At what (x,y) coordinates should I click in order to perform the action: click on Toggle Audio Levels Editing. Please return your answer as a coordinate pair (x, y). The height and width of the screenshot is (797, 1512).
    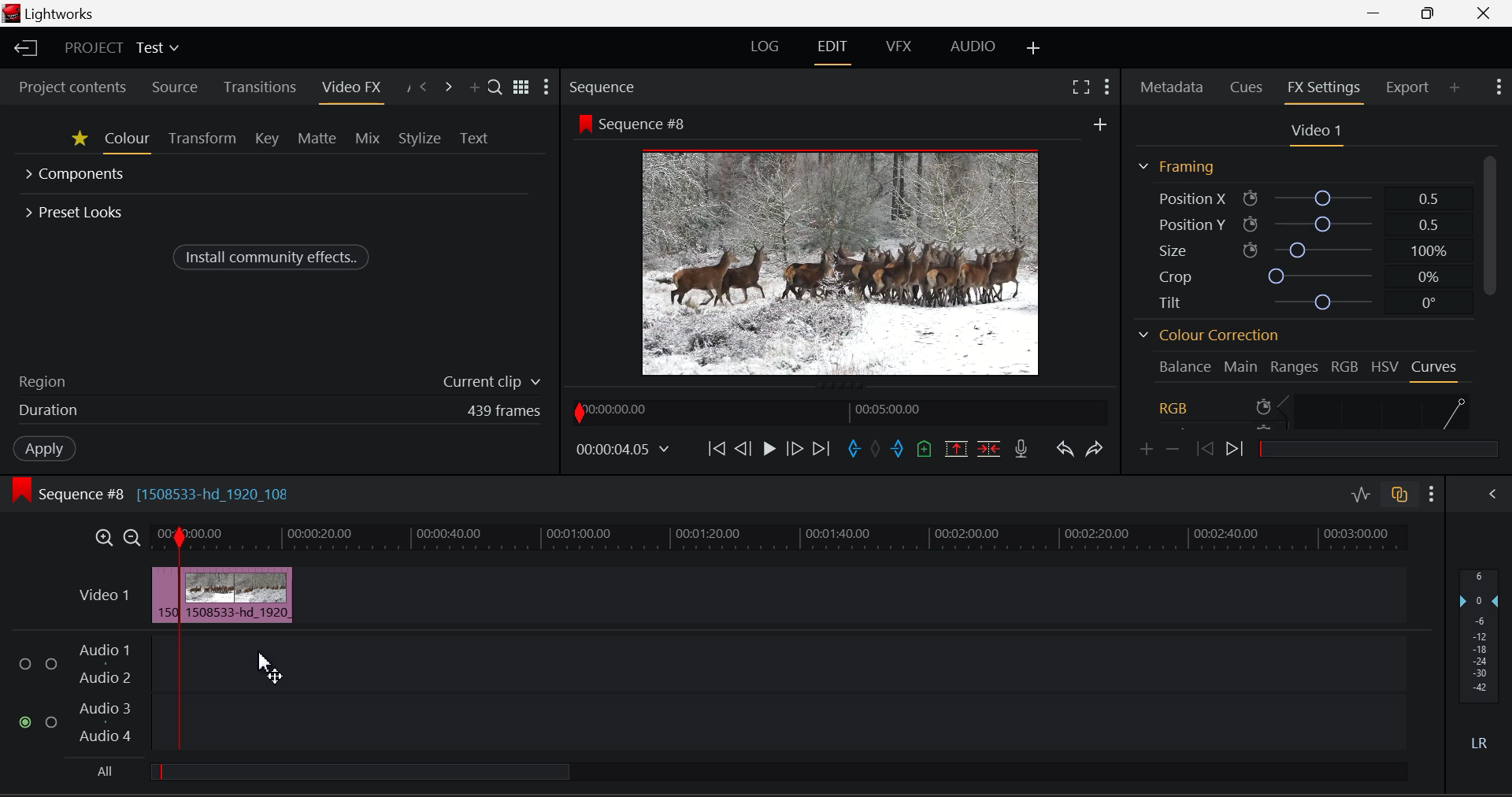
    Looking at the image, I should click on (1360, 495).